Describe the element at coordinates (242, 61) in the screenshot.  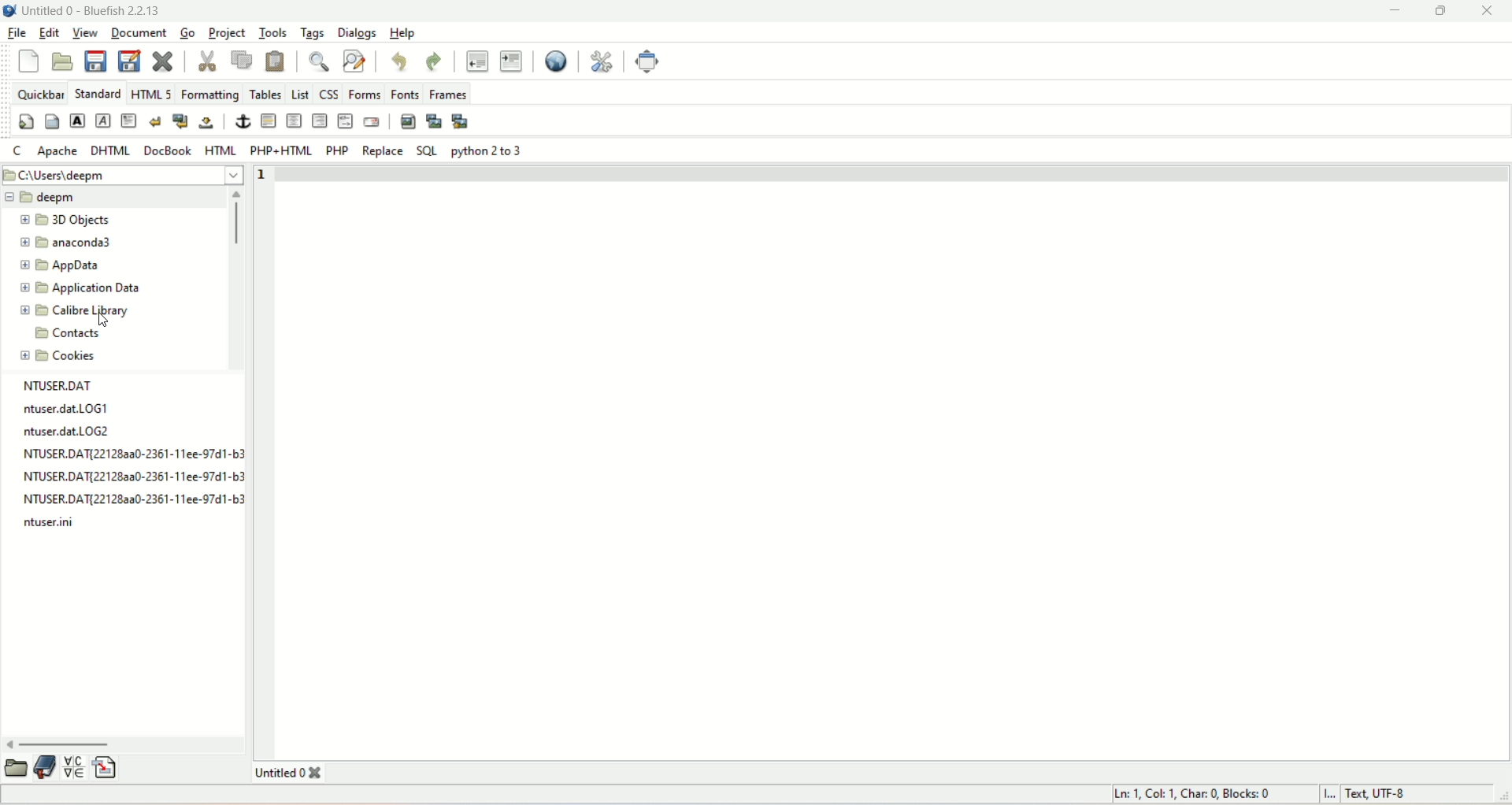
I see `copy` at that location.